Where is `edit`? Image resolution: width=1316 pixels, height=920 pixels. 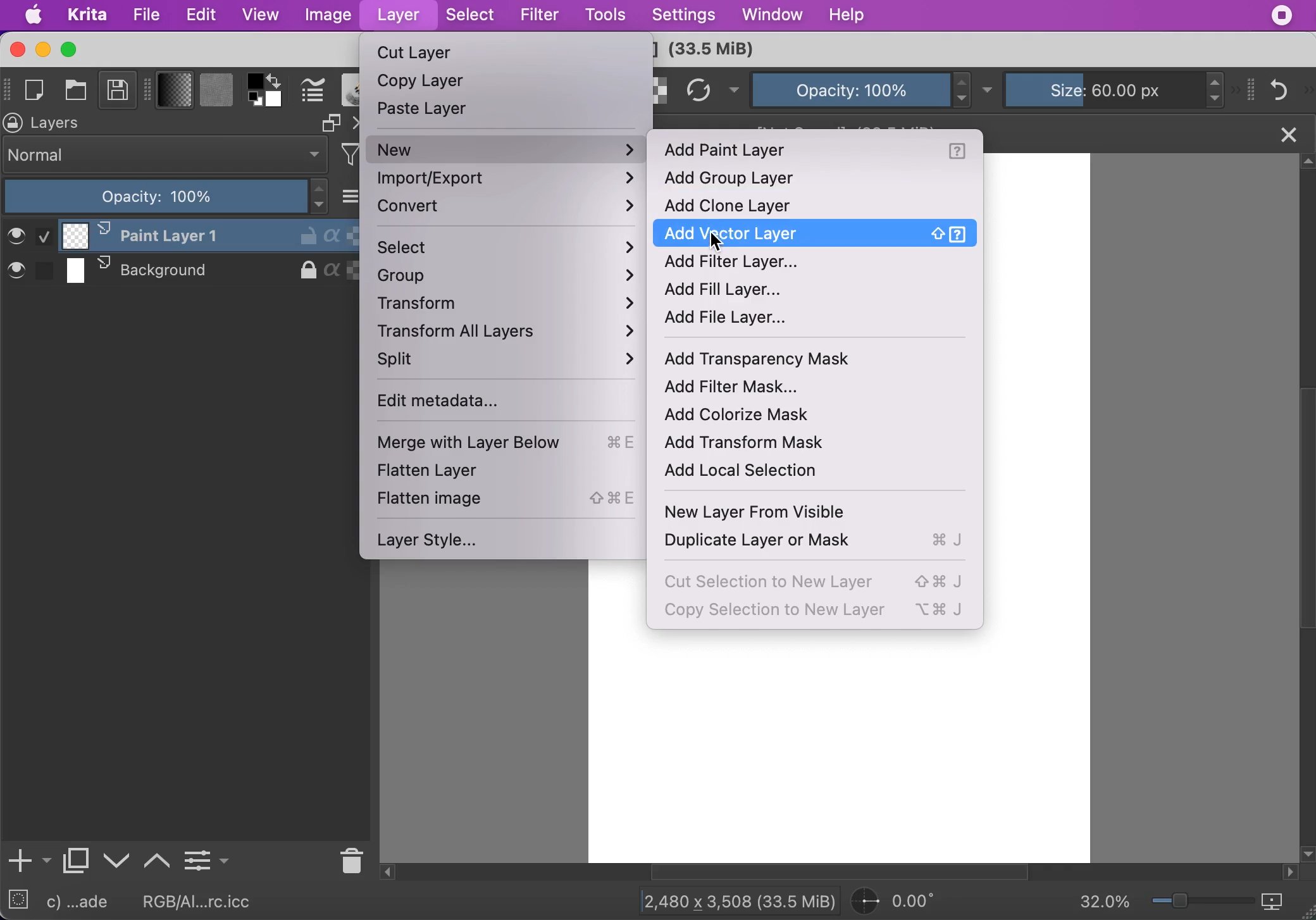
edit is located at coordinates (201, 15).